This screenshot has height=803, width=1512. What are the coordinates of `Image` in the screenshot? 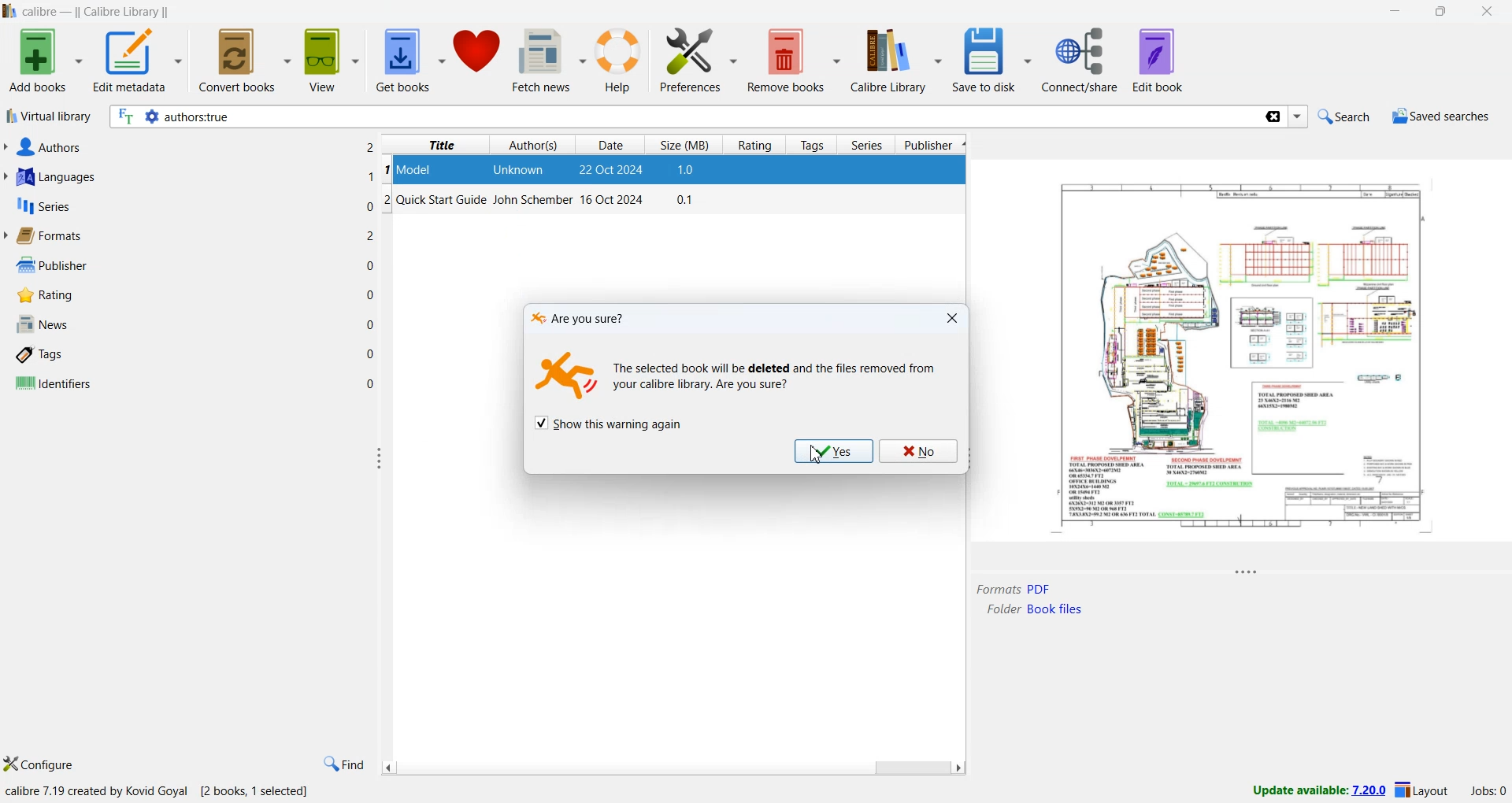 It's located at (569, 377).